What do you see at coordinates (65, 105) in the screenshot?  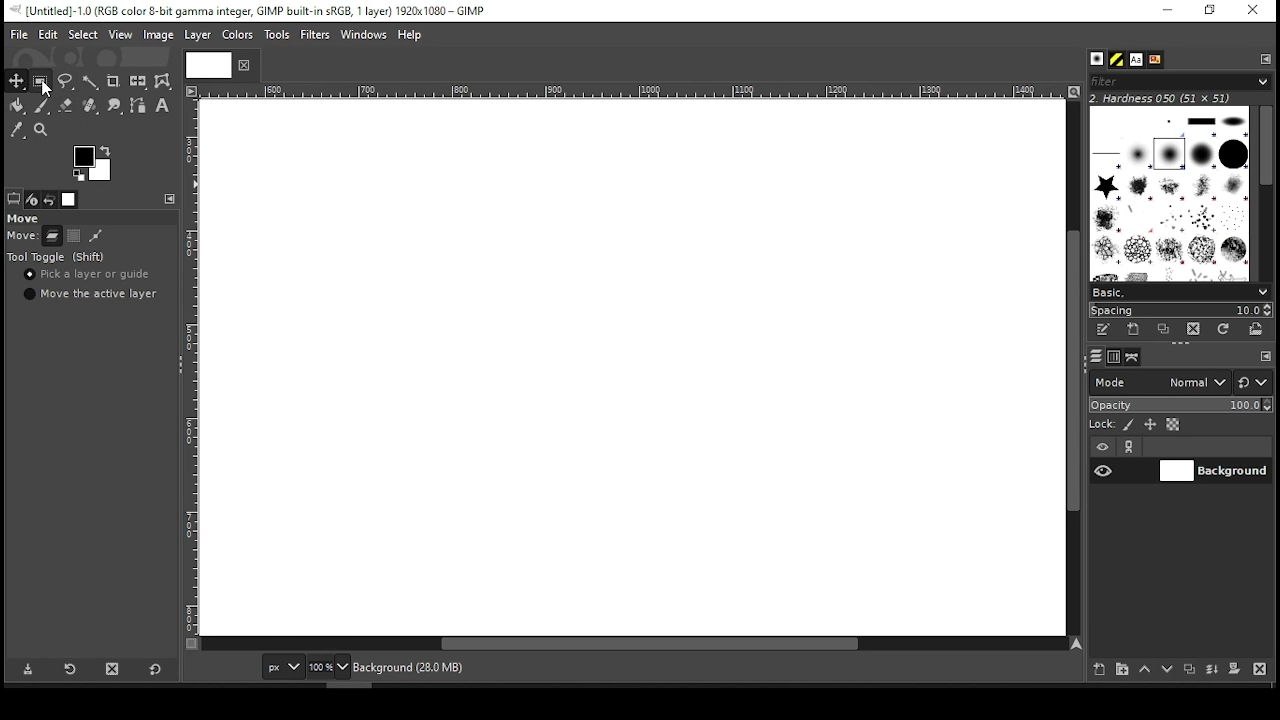 I see `eraser tool` at bounding box center [65, 105].